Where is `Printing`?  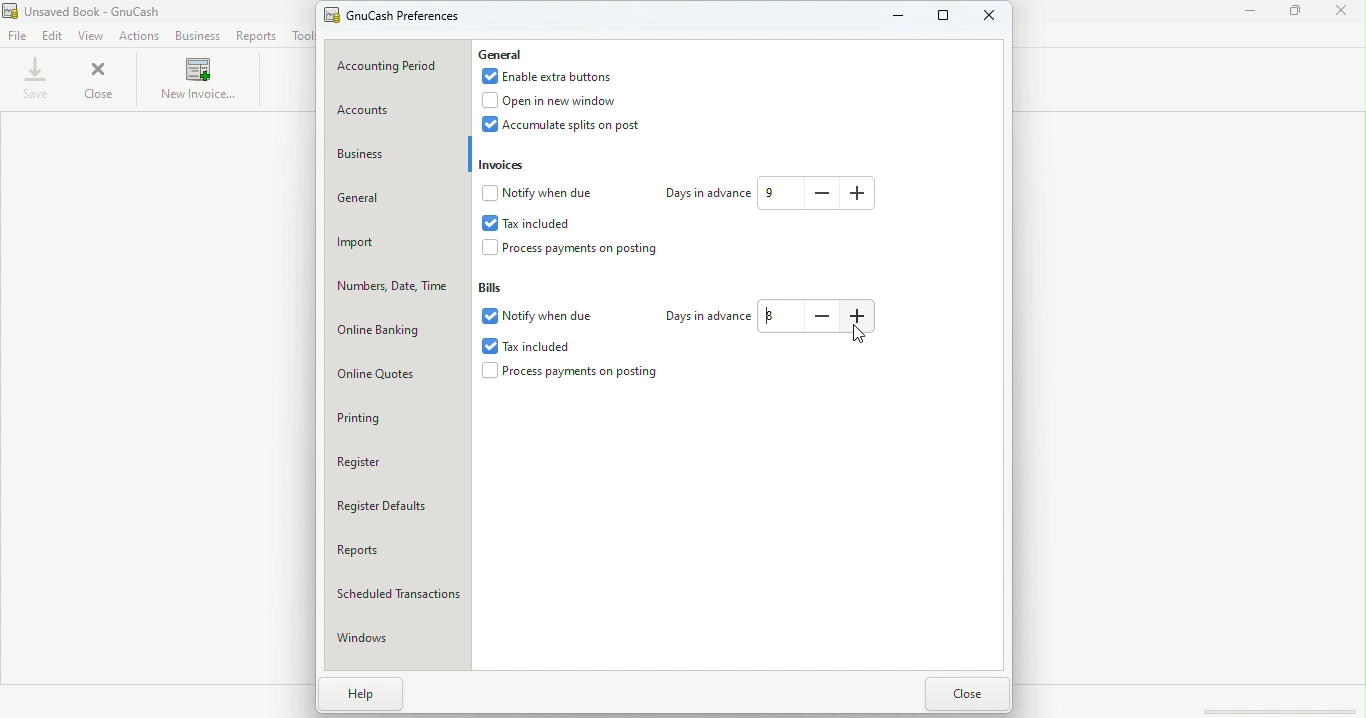
Printing is located at coordinates (397, 416).